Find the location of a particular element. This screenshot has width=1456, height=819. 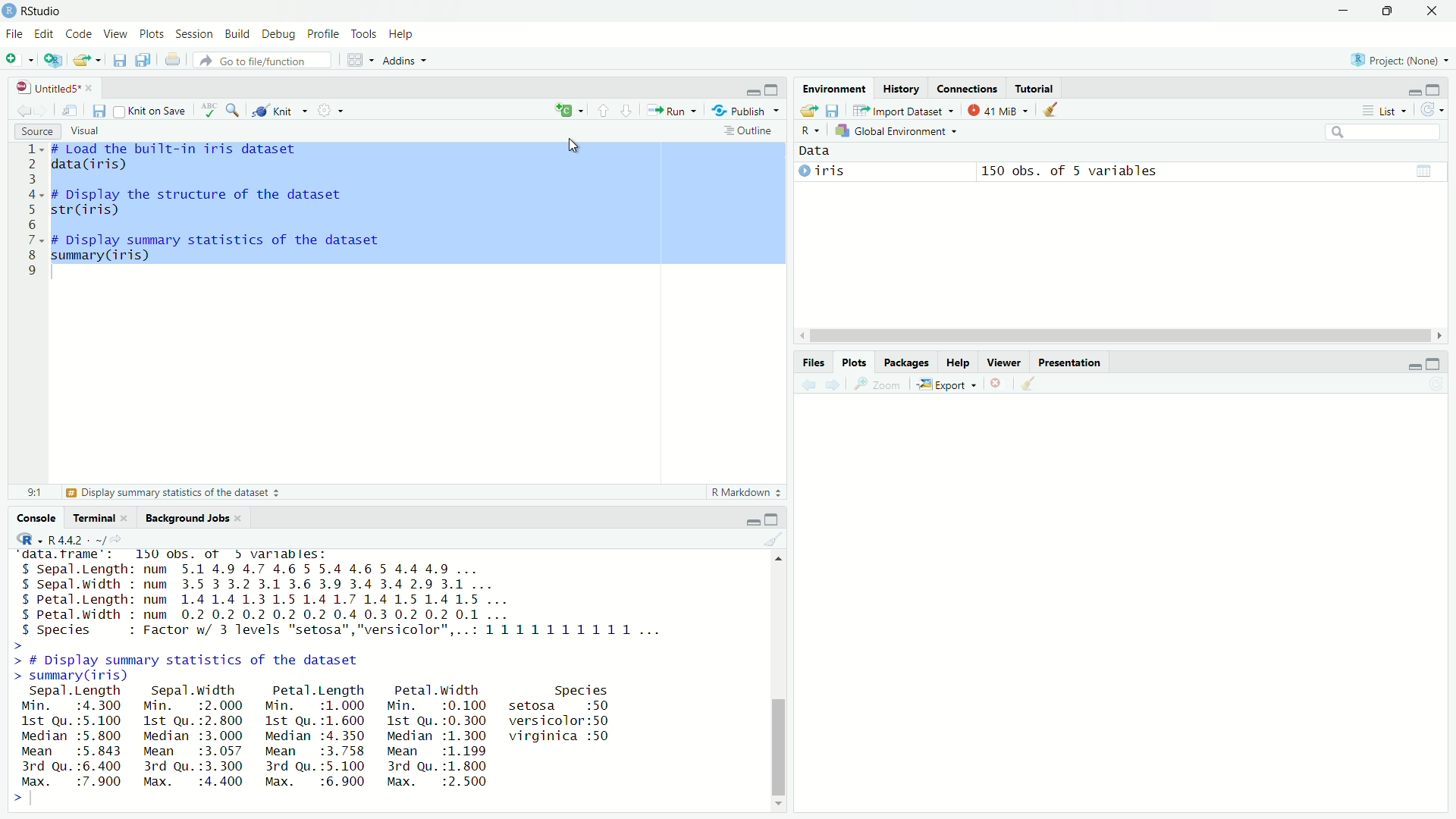

Export is located at coordinates (944, 384).